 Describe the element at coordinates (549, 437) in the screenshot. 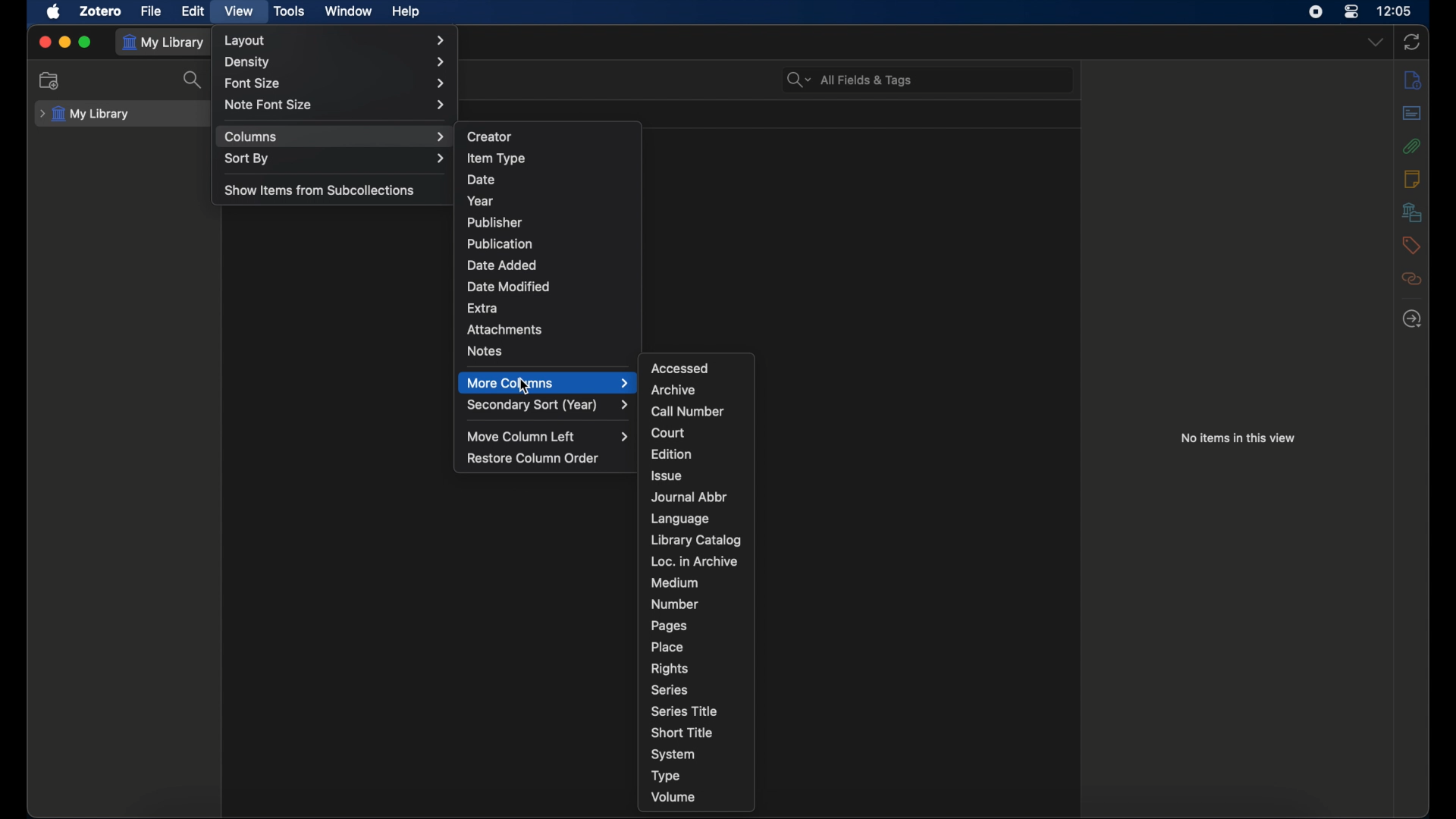

I see `move column left` at that location.